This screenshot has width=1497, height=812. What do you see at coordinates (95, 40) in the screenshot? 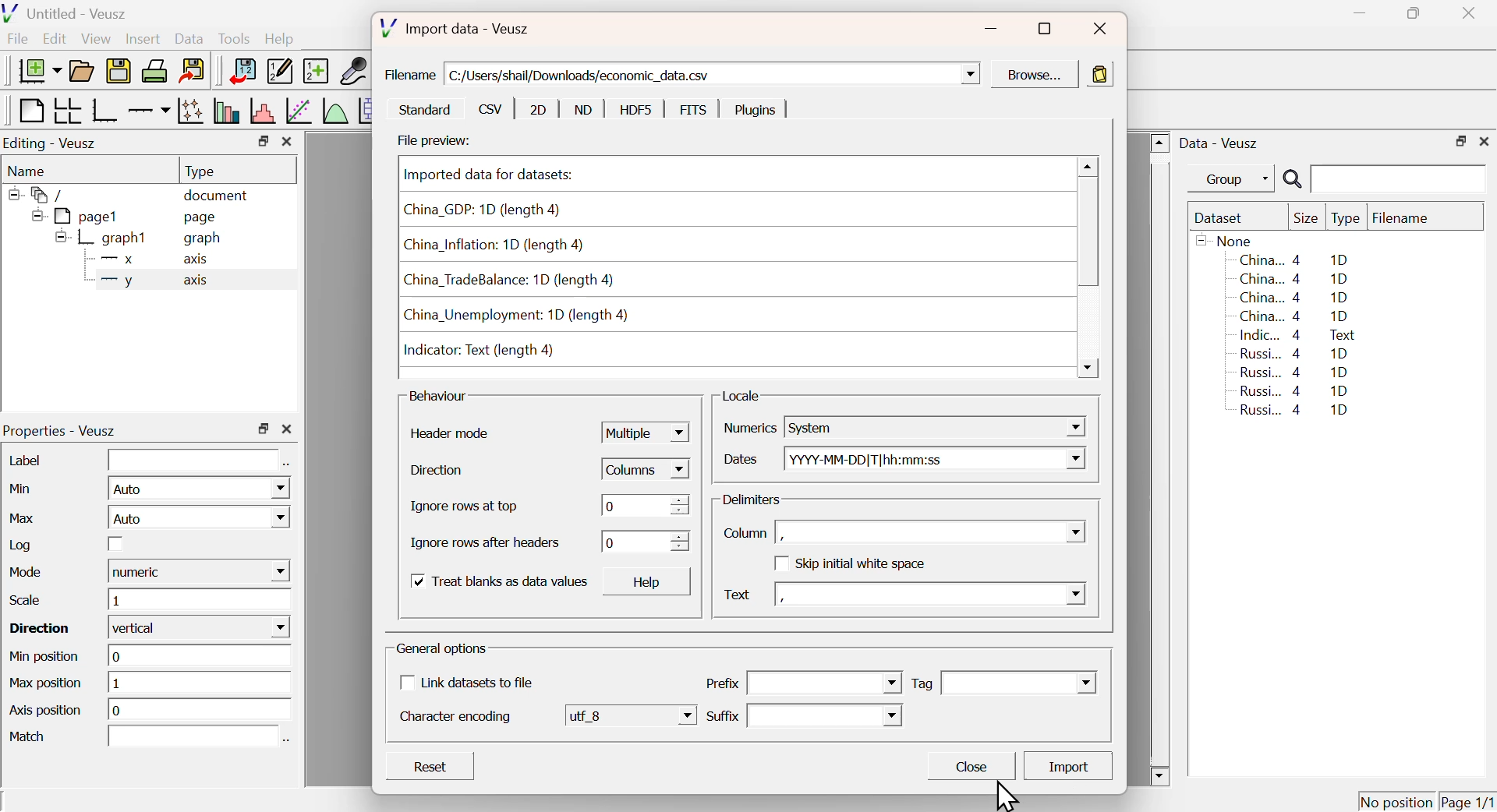
I see `View` at bounding box center [95, 40].